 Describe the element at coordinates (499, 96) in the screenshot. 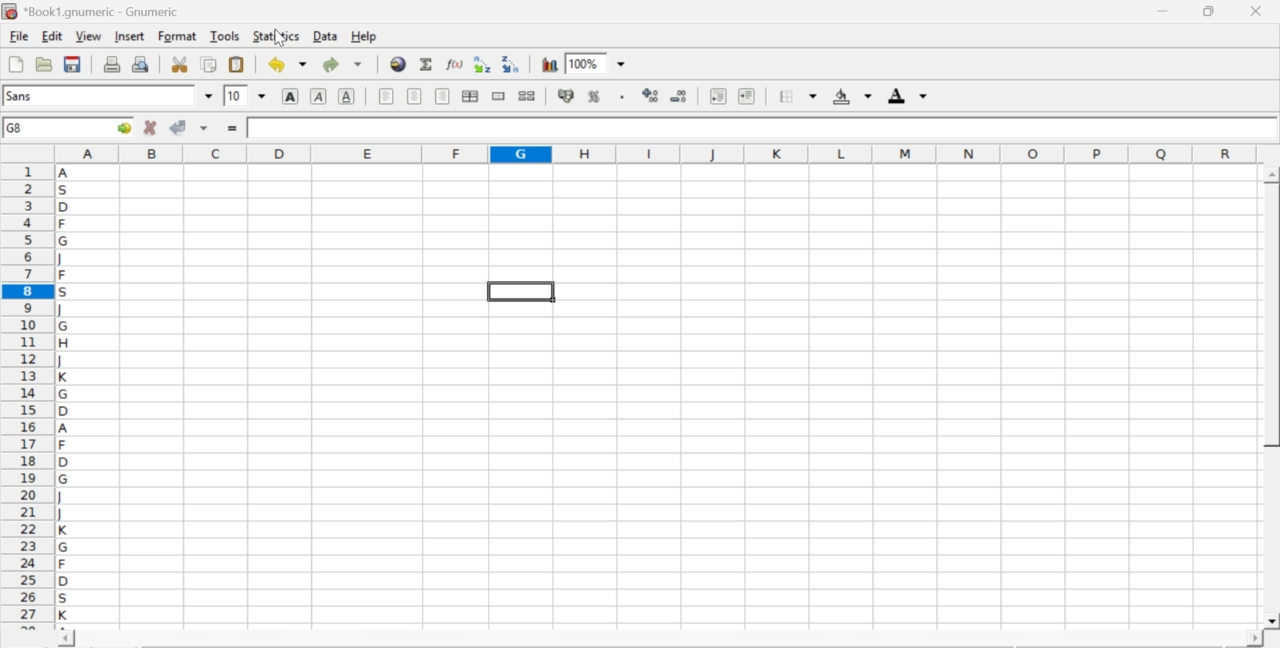

I see `merge a range of cells` at that location.